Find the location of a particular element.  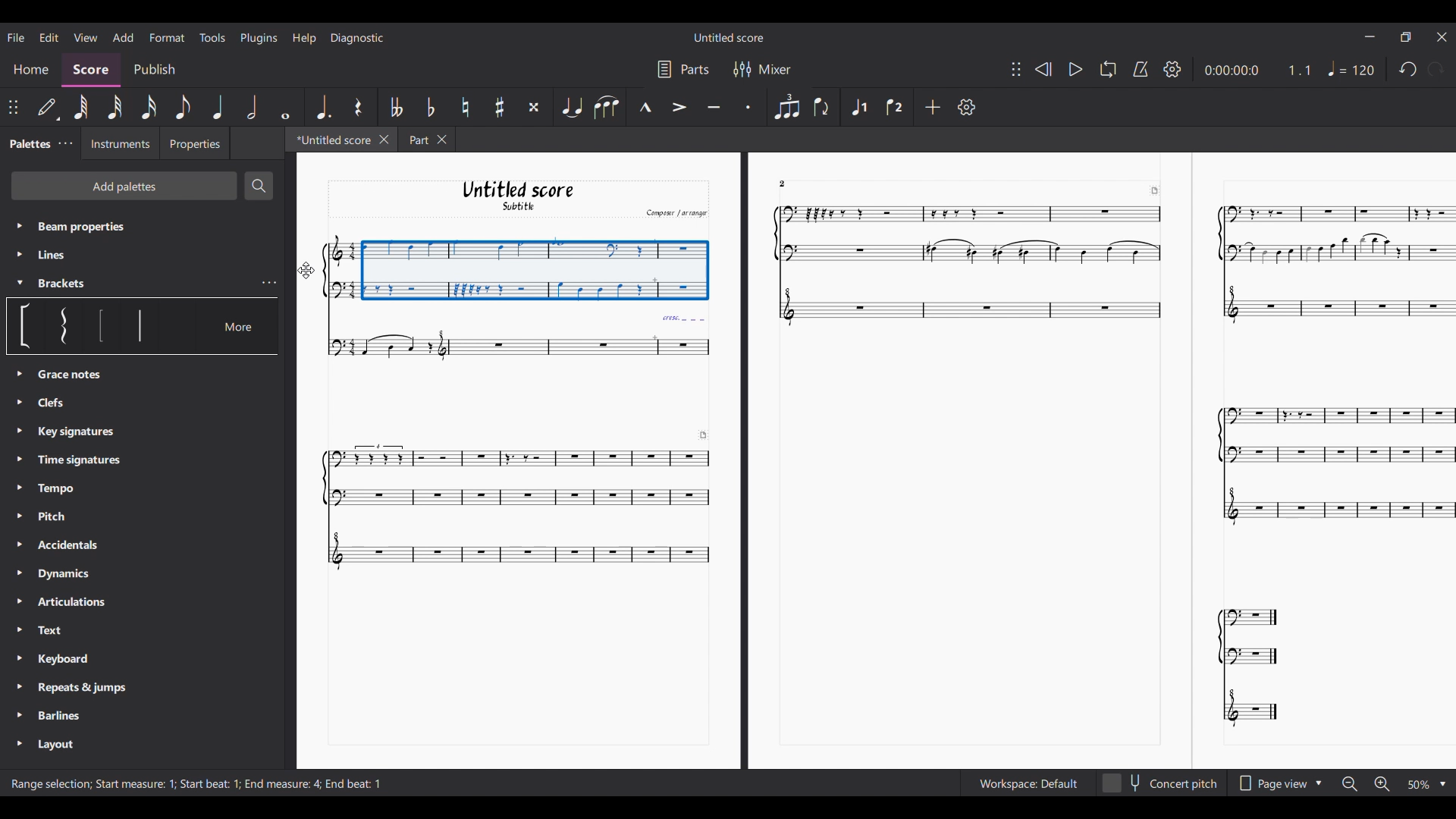

Clefs is located at coordinates (68, 375).